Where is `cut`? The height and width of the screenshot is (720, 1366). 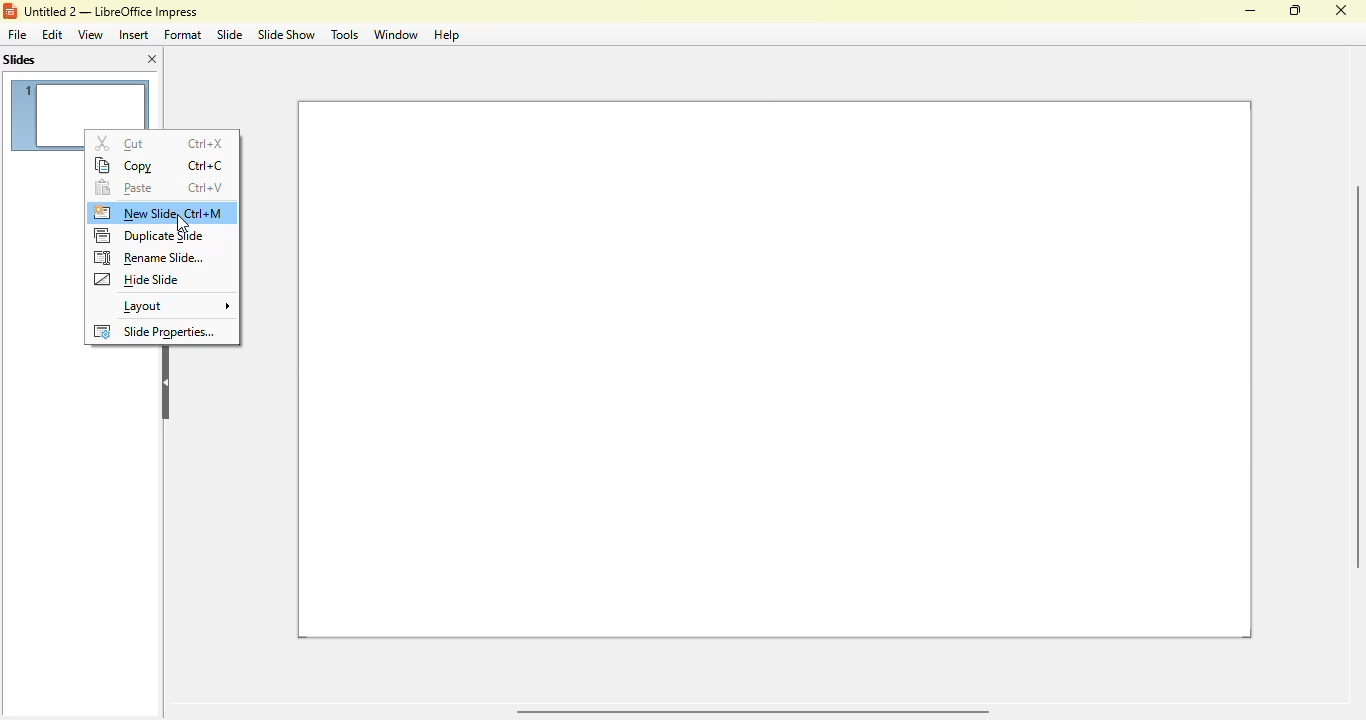
cut is located at coordinates (120, 143).